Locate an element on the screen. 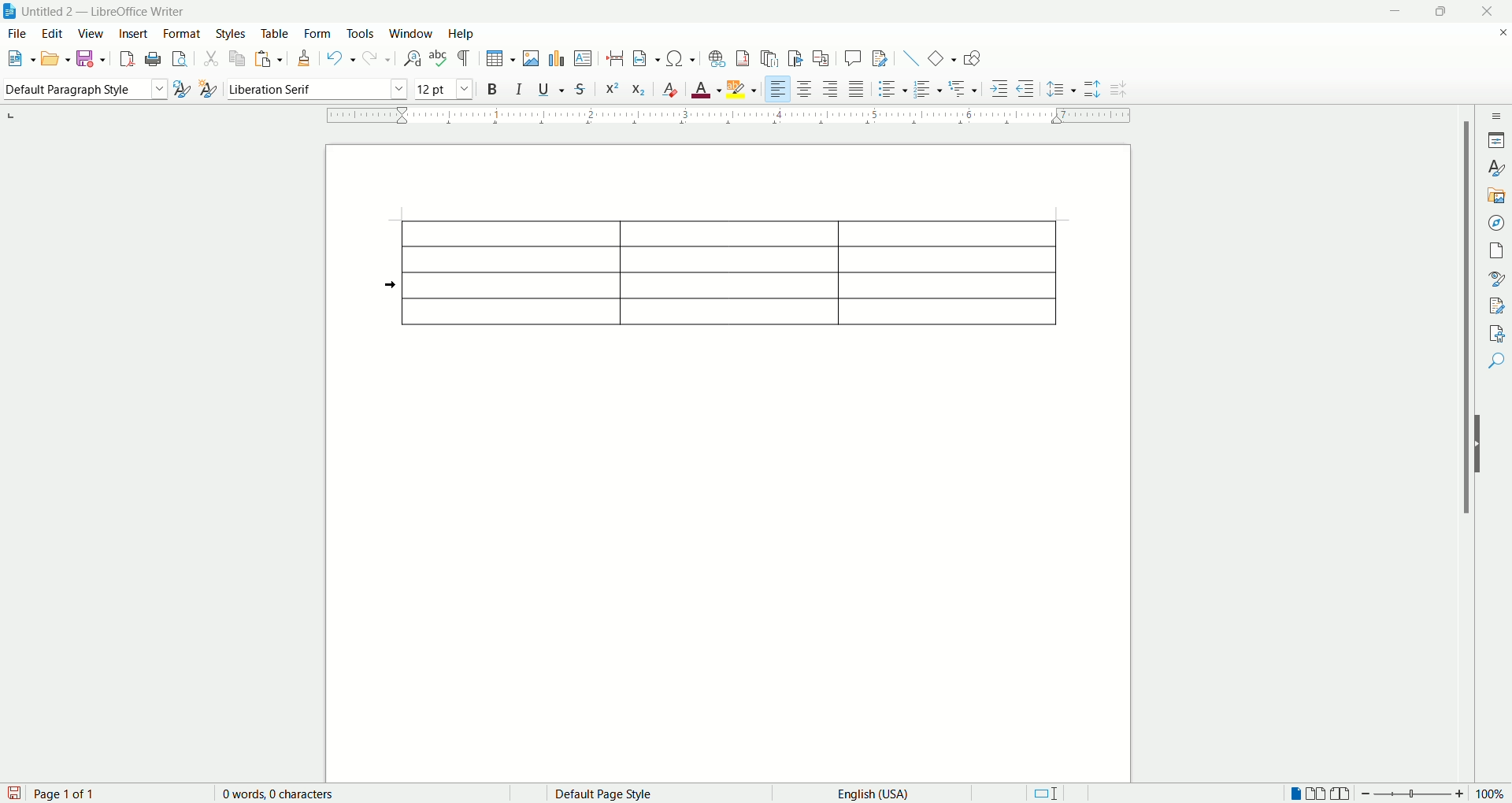 This screenshot has width=1512, height=803. edit is located at coordinates (53, 34).